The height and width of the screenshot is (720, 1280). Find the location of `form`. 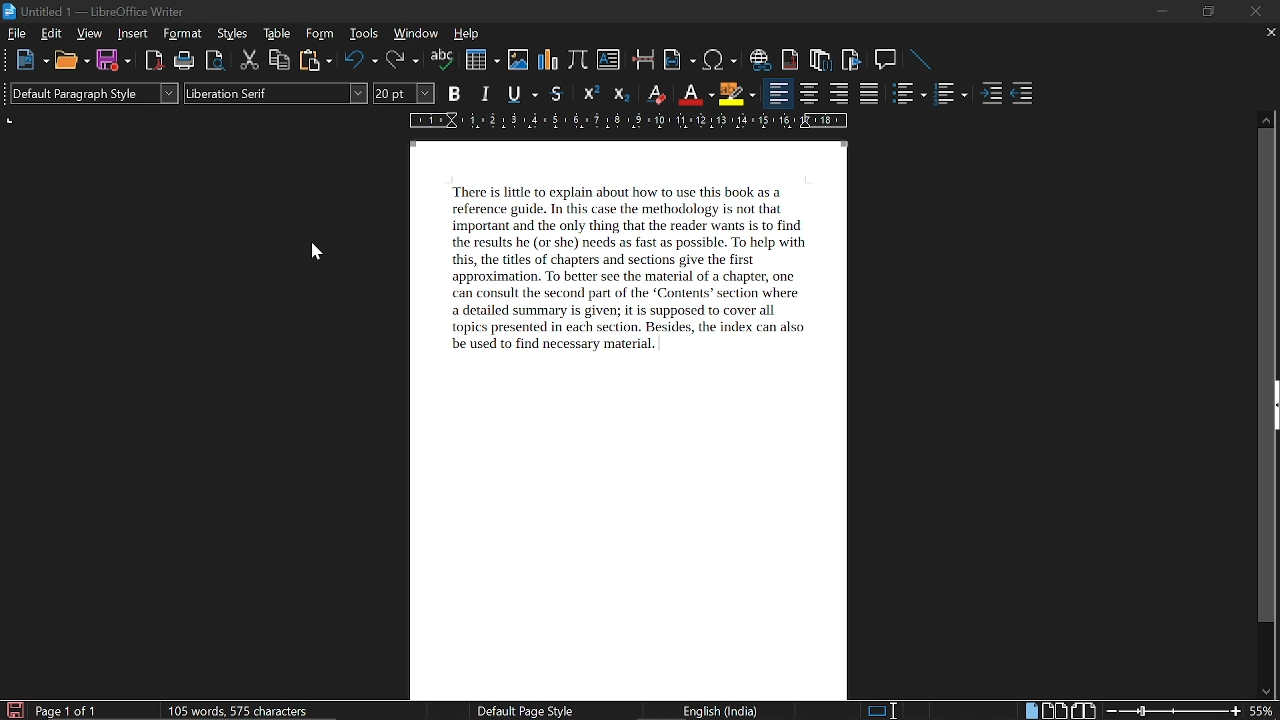

form is located at coordinates (321, 33).